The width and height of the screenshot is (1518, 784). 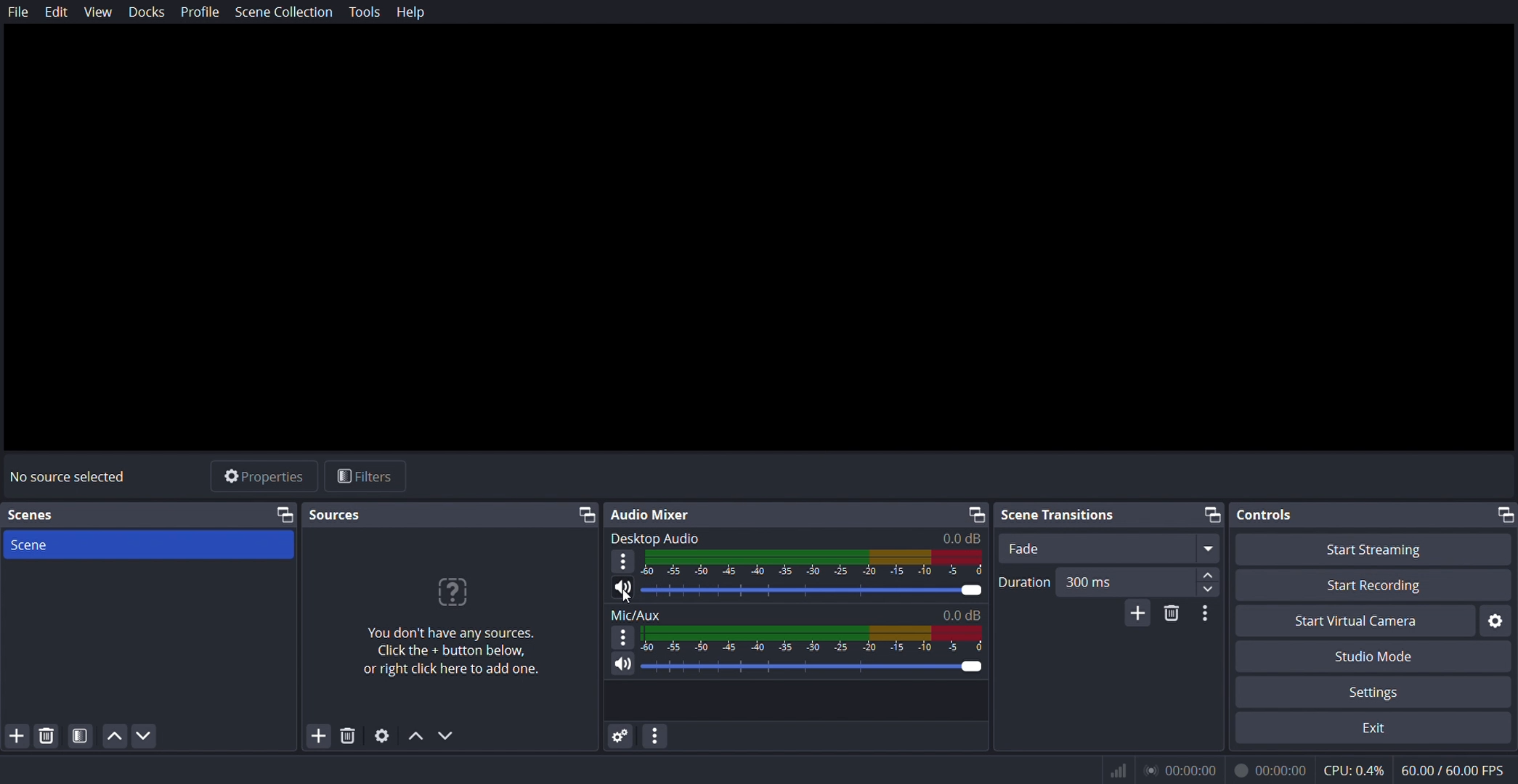 What do you see at coordinates (413, 14) in the screenshot?
I see `help` at bounding box center [413, 14].